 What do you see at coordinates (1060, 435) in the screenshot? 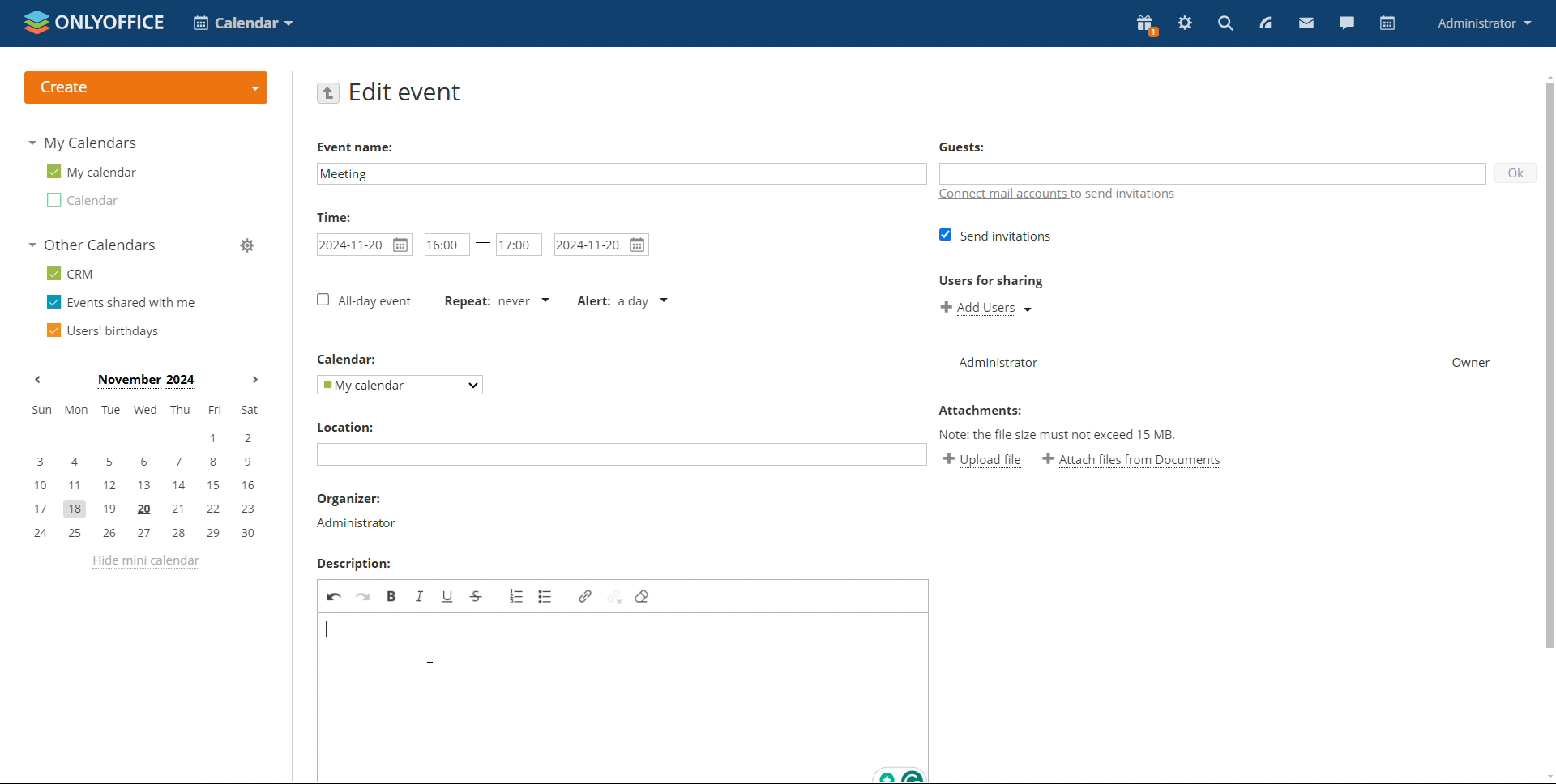
I see `note: the file size must not exceed 15 mb` at bounding box center [1060, 435].